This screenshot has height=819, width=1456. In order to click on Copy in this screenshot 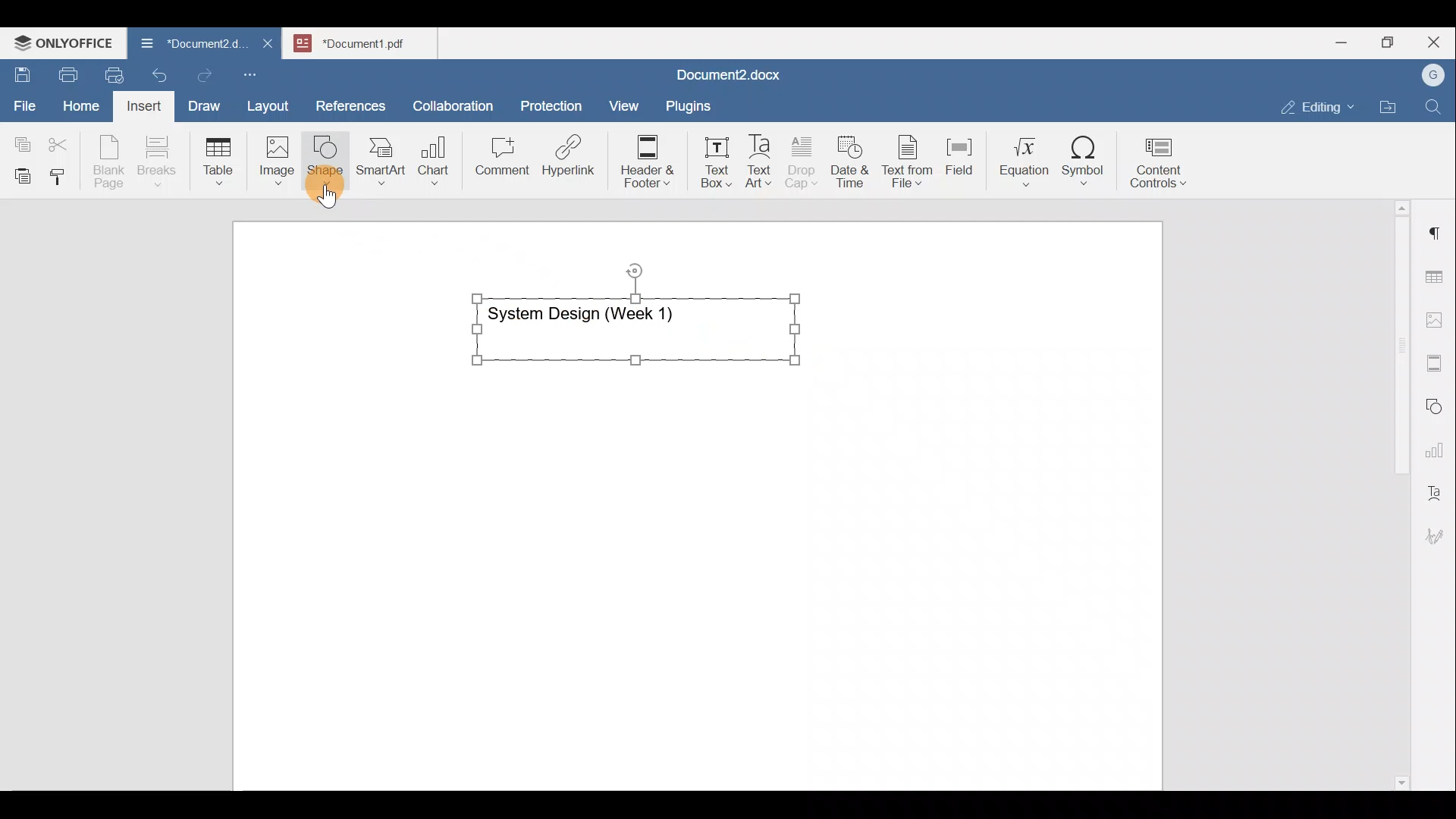, I will do `click(20, 140)`.